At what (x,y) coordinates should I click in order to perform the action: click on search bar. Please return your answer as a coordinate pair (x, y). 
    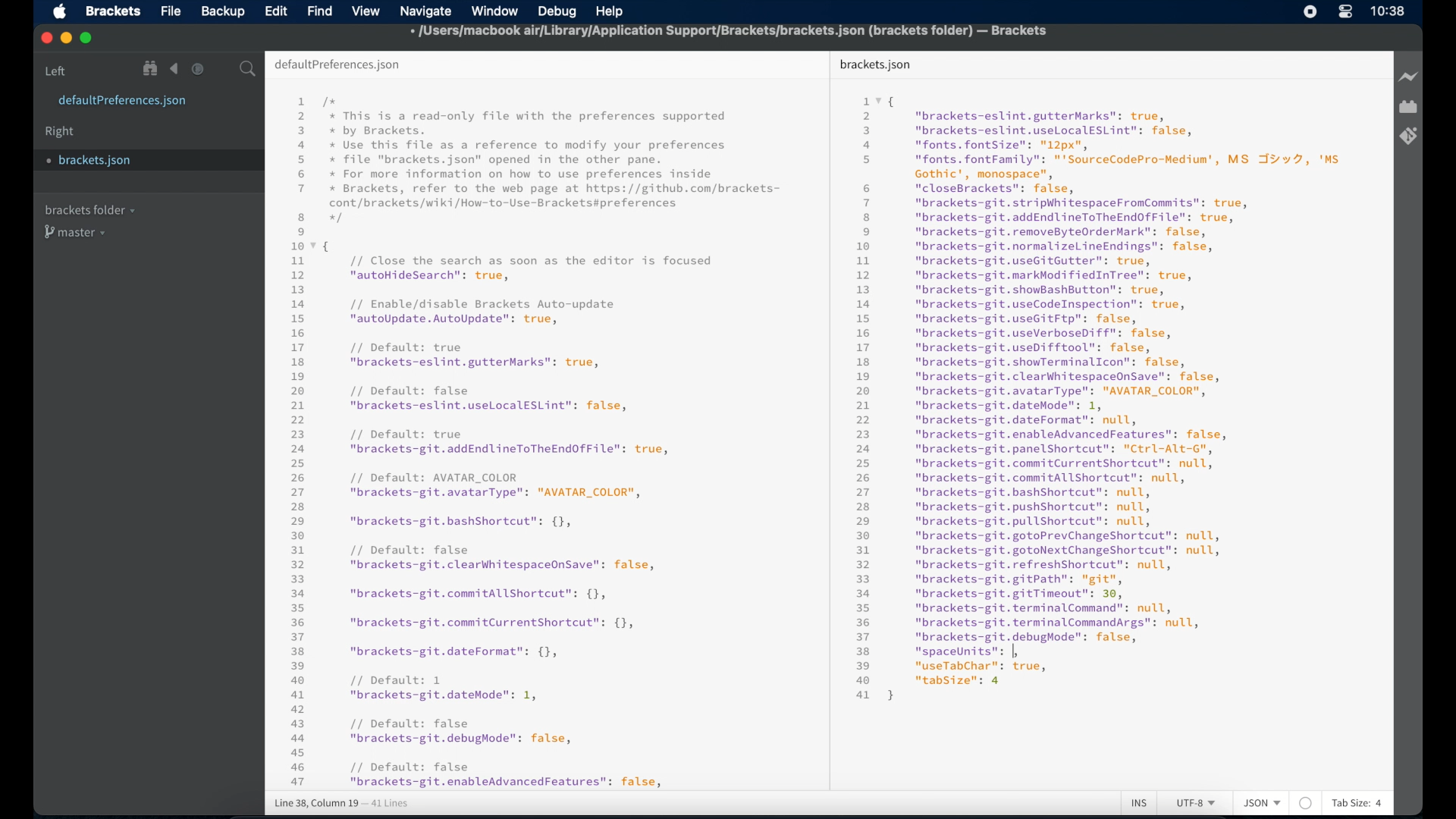
    Looking at the image, I should click on (248, 70).